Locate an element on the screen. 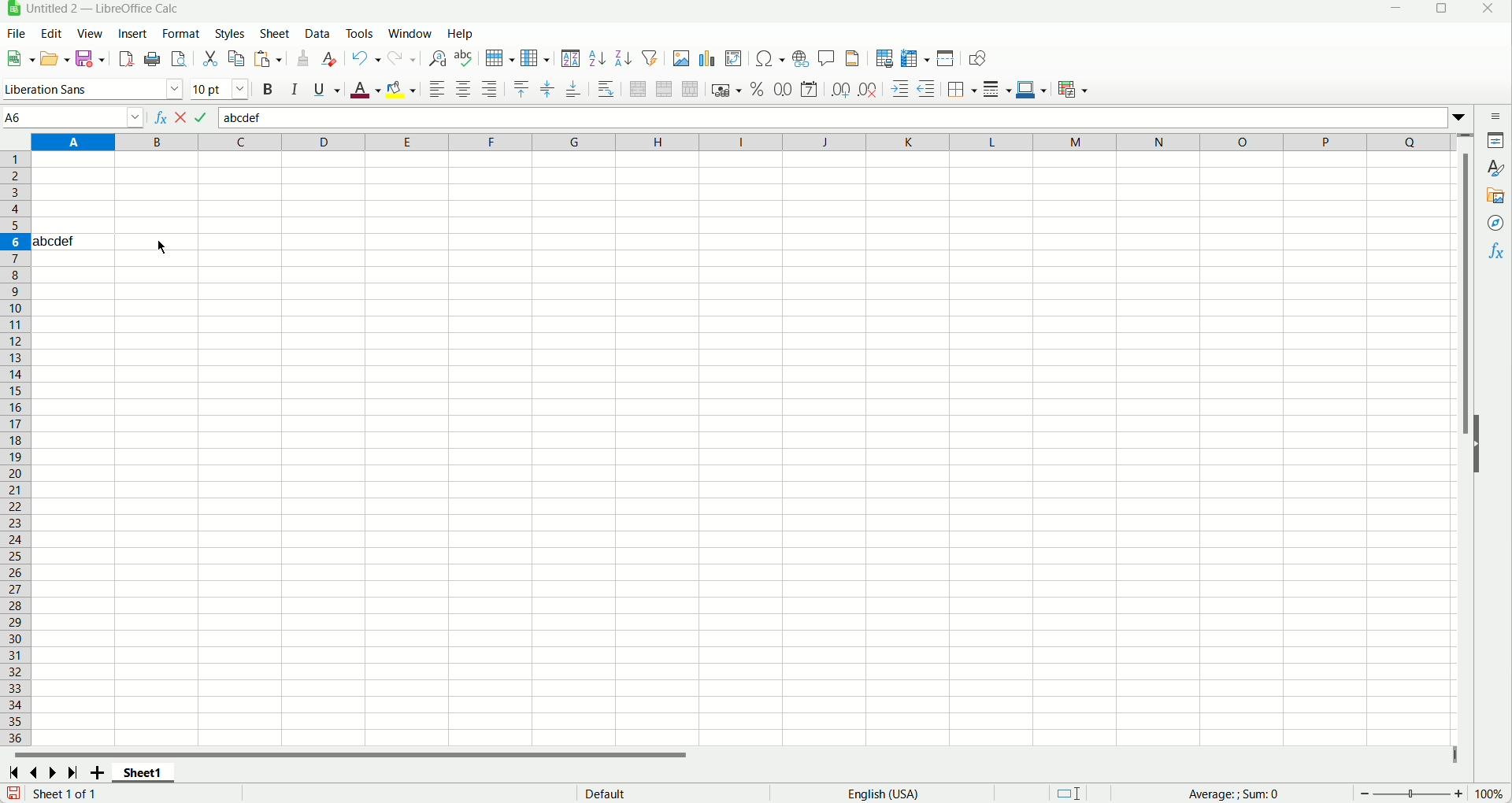 The width and height of the screenshot is (1512, 803). open is located at coordinates (57, 57).